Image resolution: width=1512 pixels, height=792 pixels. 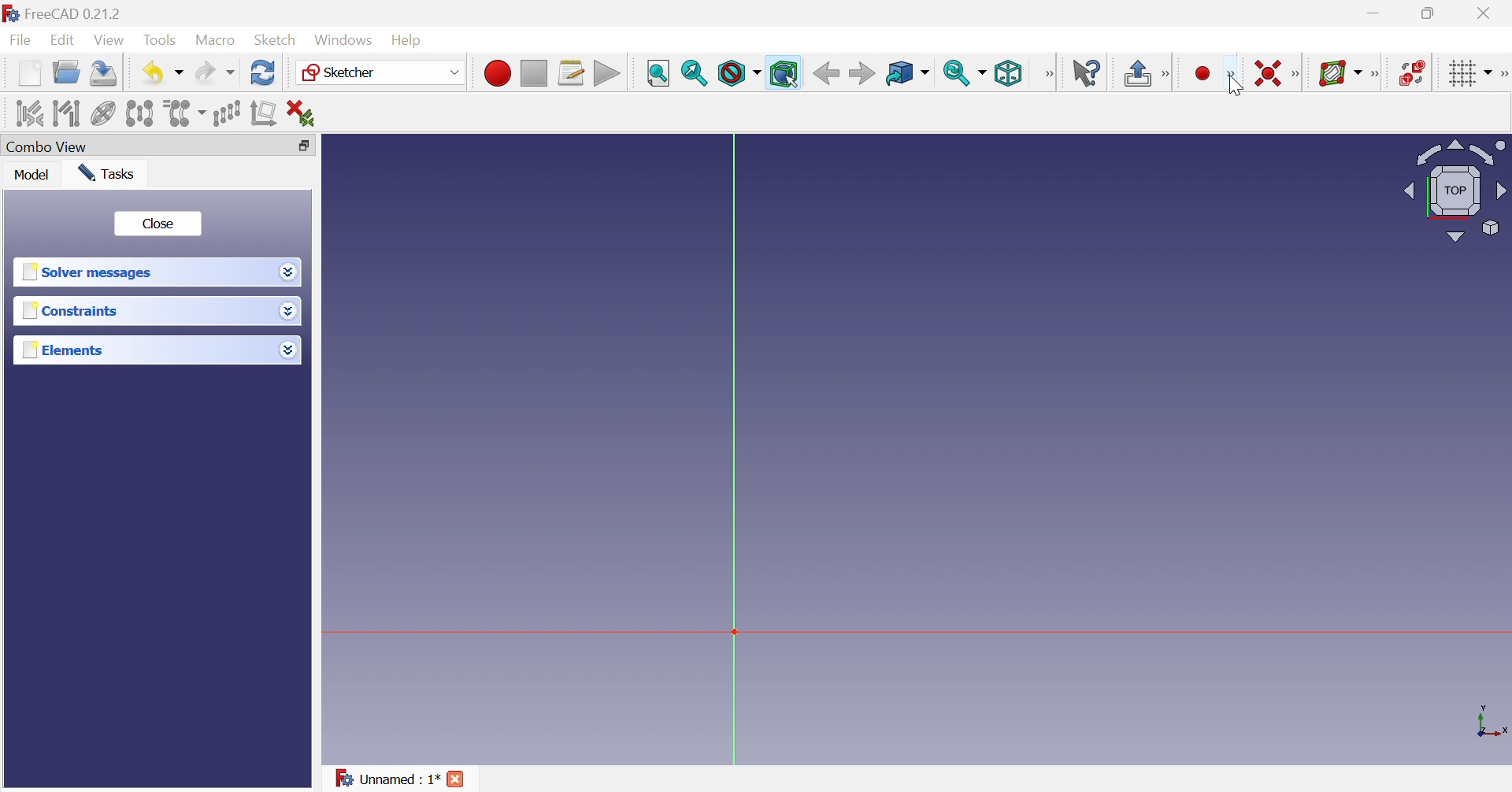 I want to click on Constrain coincident, so click(x=1267, y=72).